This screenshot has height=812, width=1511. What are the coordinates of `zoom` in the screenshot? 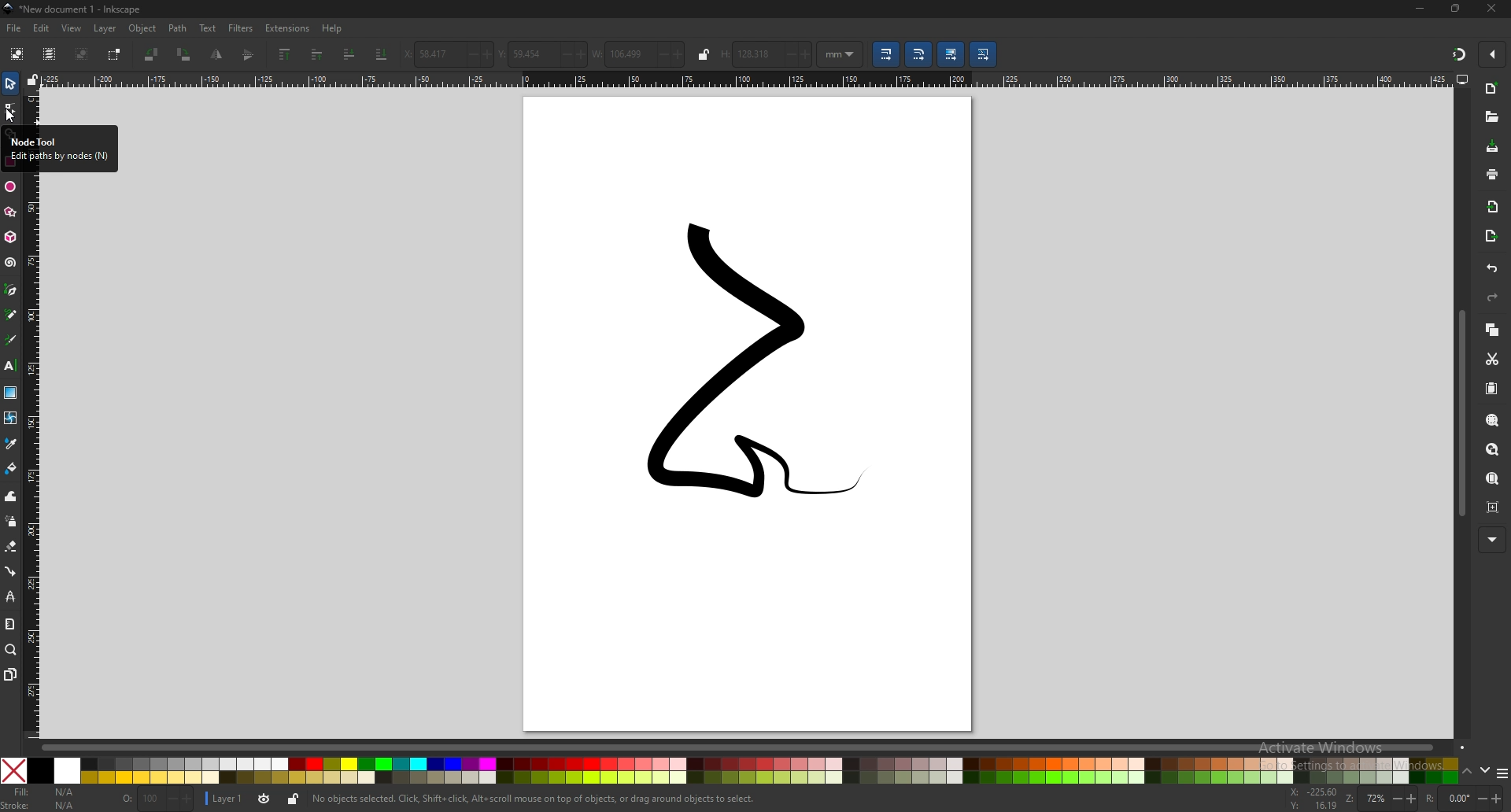 It's located at (12, 651).